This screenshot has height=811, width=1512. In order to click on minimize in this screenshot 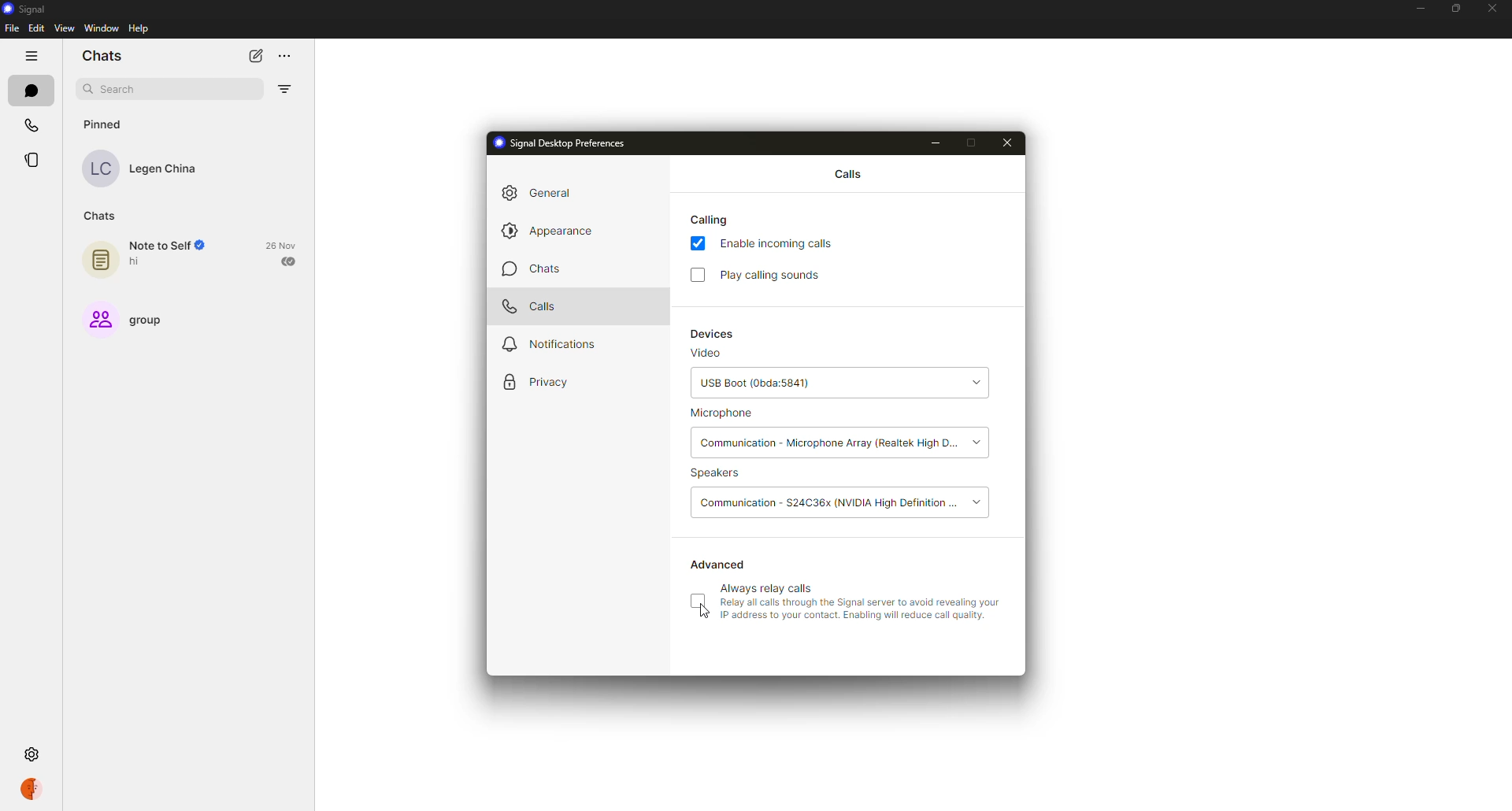, I will do `click(933, 143)`.